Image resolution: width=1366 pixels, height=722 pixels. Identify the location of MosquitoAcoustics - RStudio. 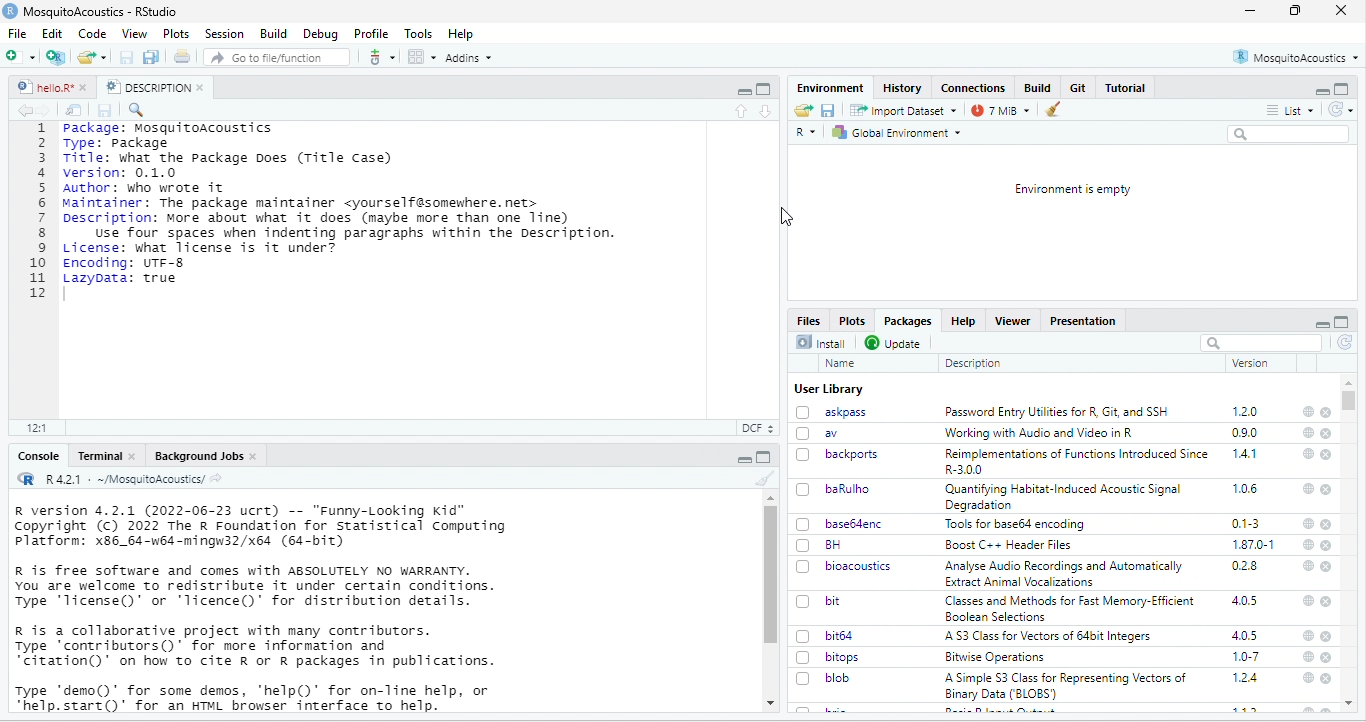
(101, 12).